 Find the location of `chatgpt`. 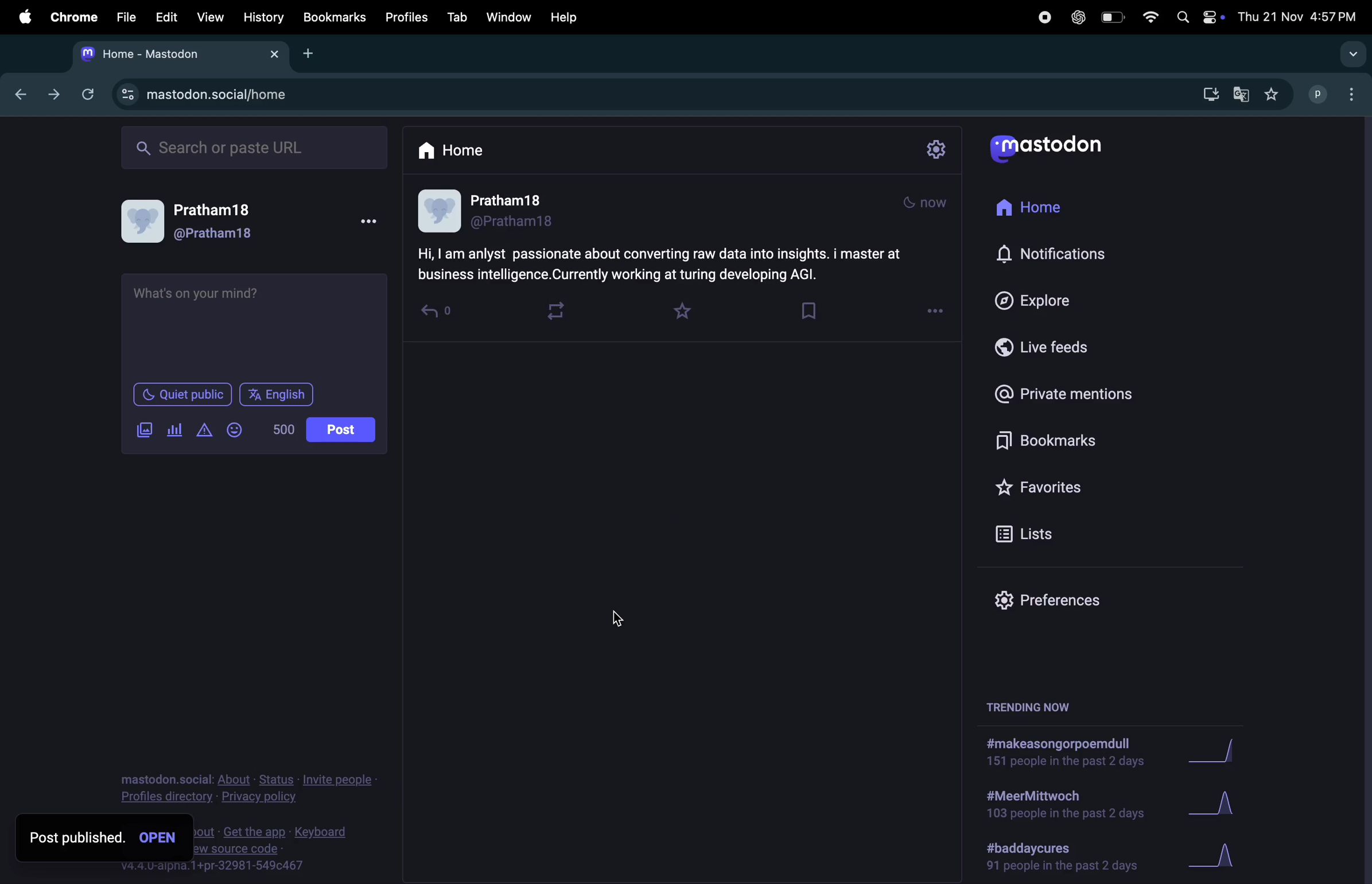

chatgpt is located at coordinates (1075, 17).